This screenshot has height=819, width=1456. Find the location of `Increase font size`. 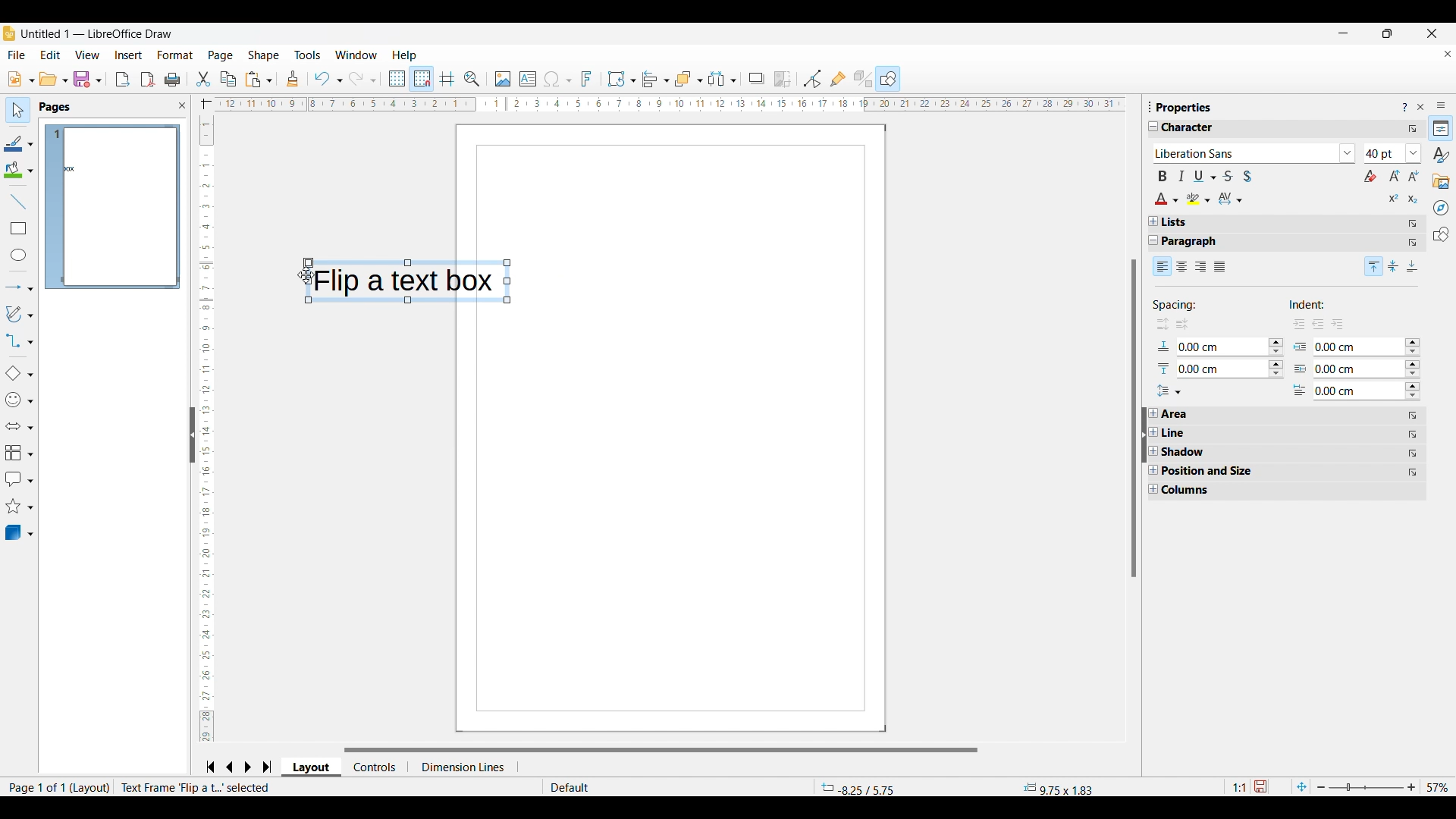

Increase font size is located at coordinates (1395, 175).